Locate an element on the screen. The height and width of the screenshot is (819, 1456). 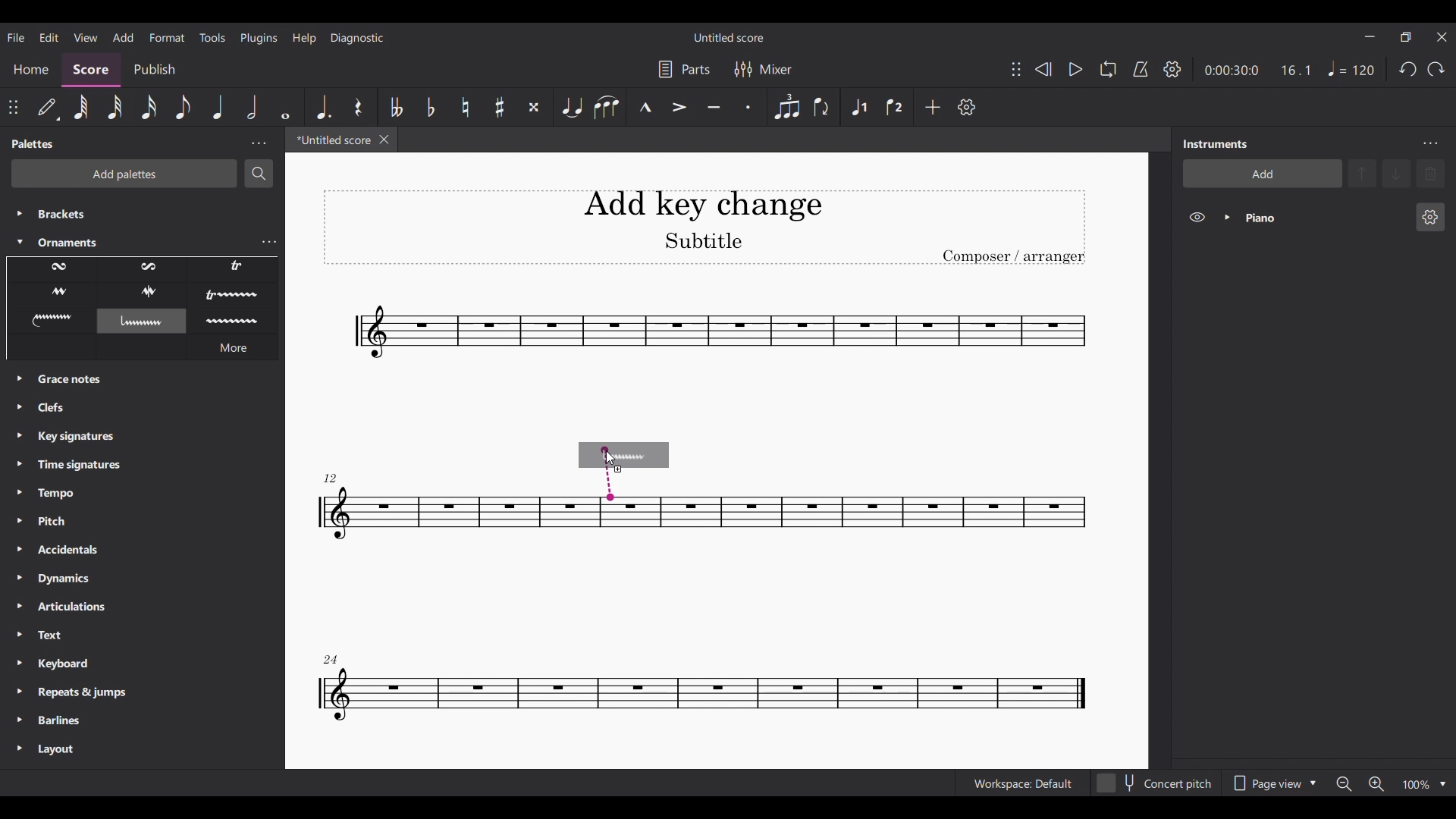
Whole note is located at coordinates (286, 106).